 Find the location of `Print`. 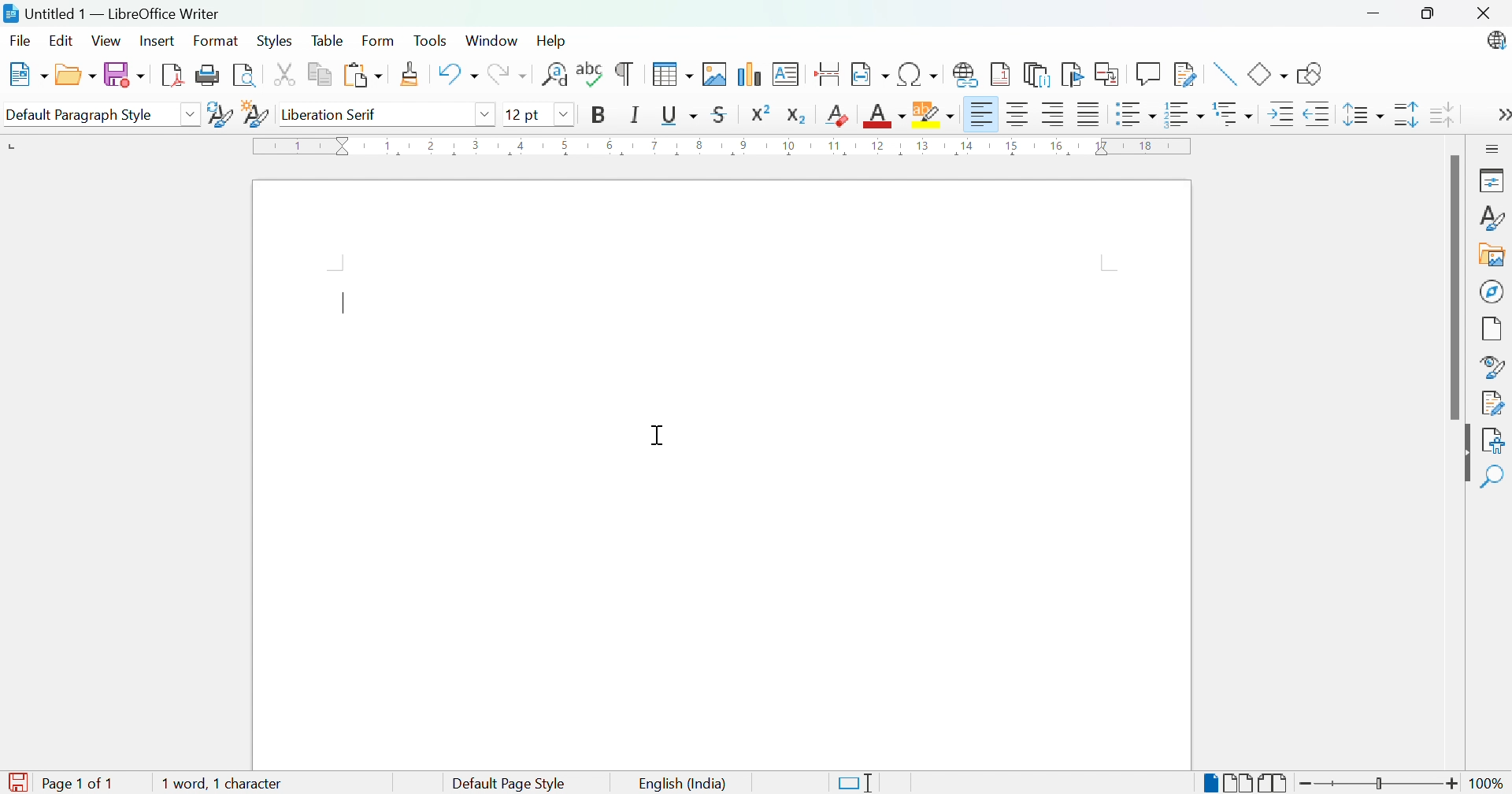

Print is located at coordinates (207, 74).